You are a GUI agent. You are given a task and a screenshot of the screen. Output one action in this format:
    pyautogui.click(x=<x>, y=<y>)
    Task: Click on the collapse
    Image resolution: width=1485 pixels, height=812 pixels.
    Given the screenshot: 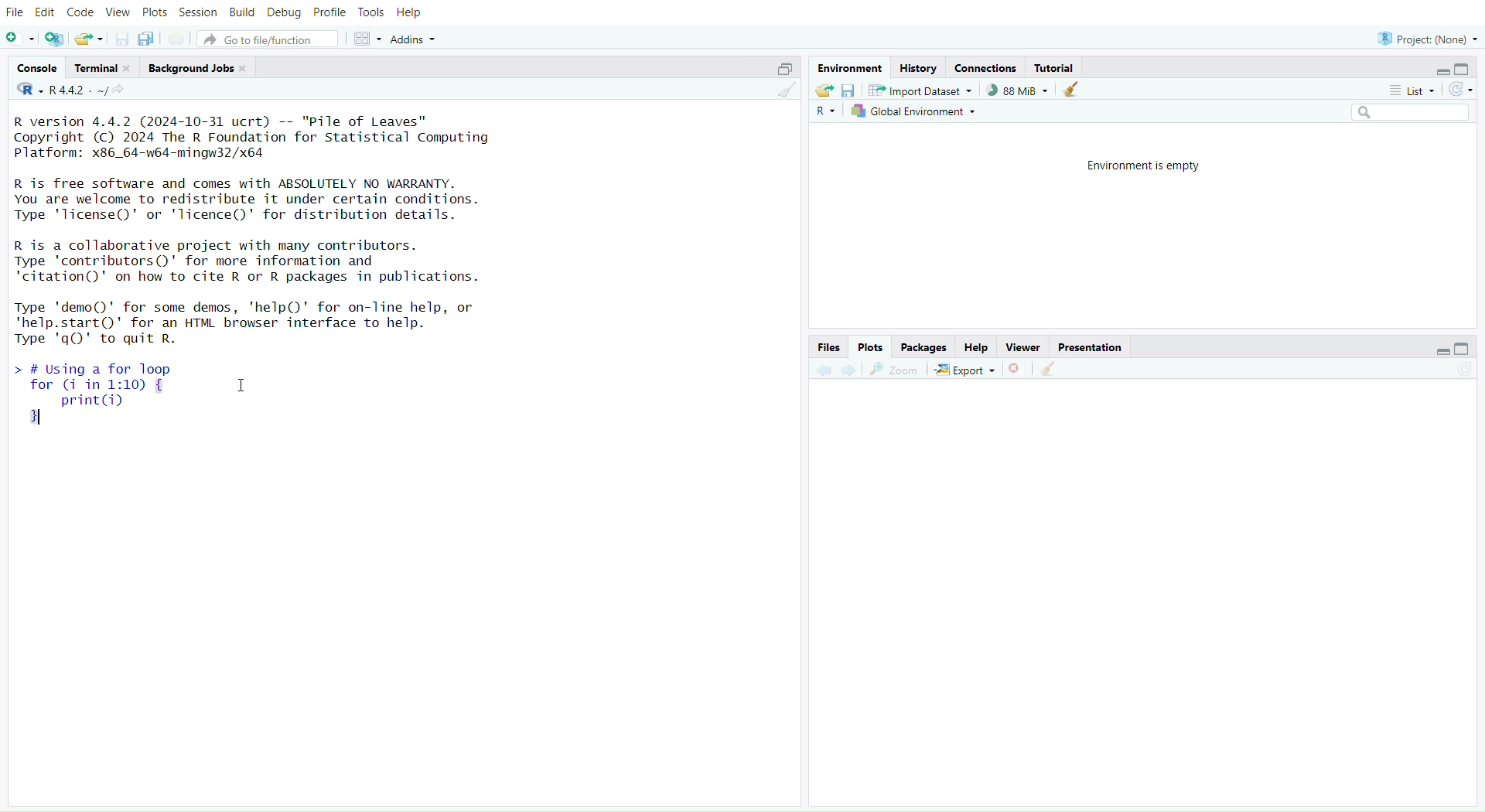 What is the action you would take?
    pyautogui.click(x=783, y=69)
    